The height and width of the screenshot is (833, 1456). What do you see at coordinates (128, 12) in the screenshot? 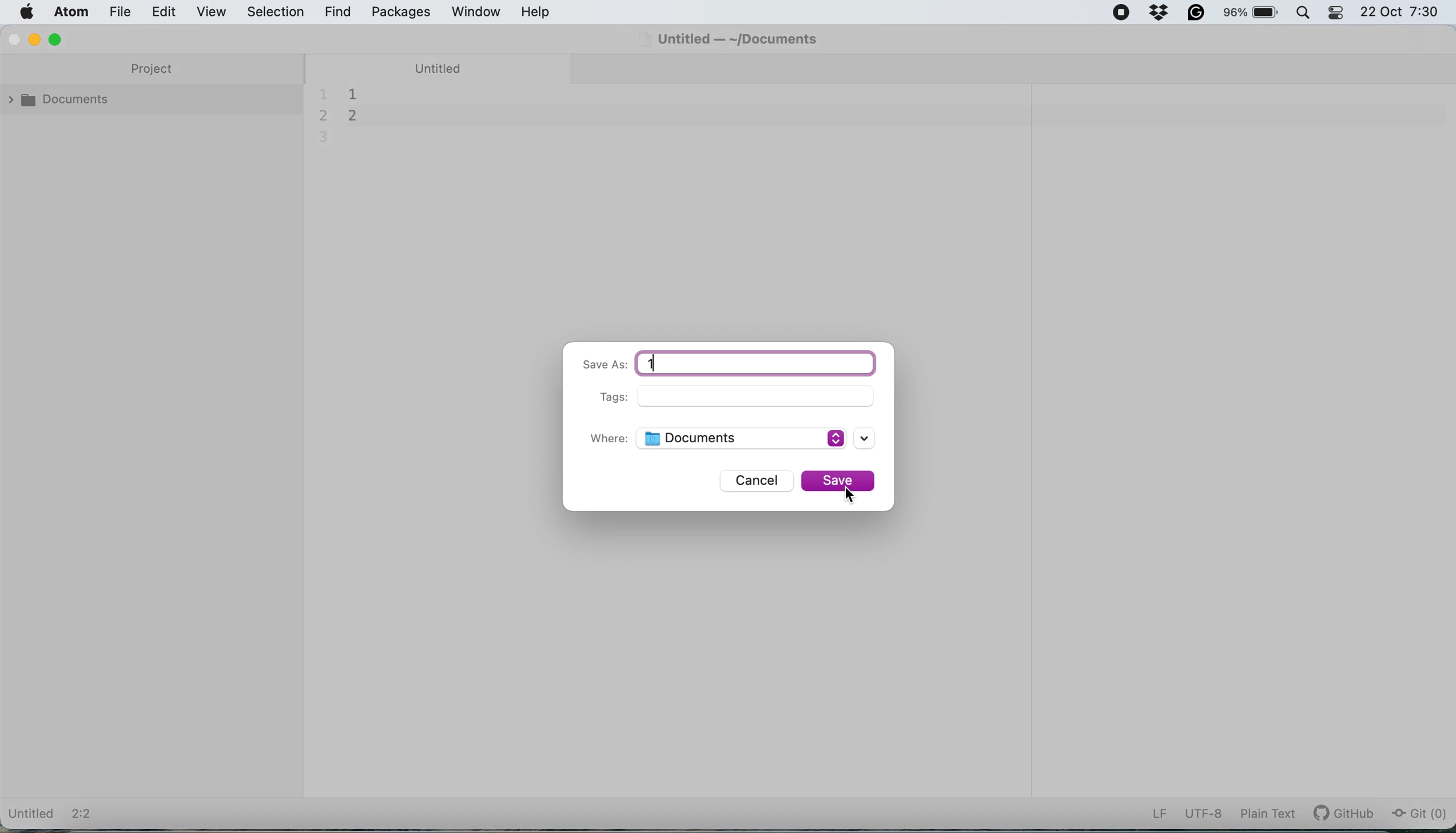
I see `file` at bounding box center [128, 12].